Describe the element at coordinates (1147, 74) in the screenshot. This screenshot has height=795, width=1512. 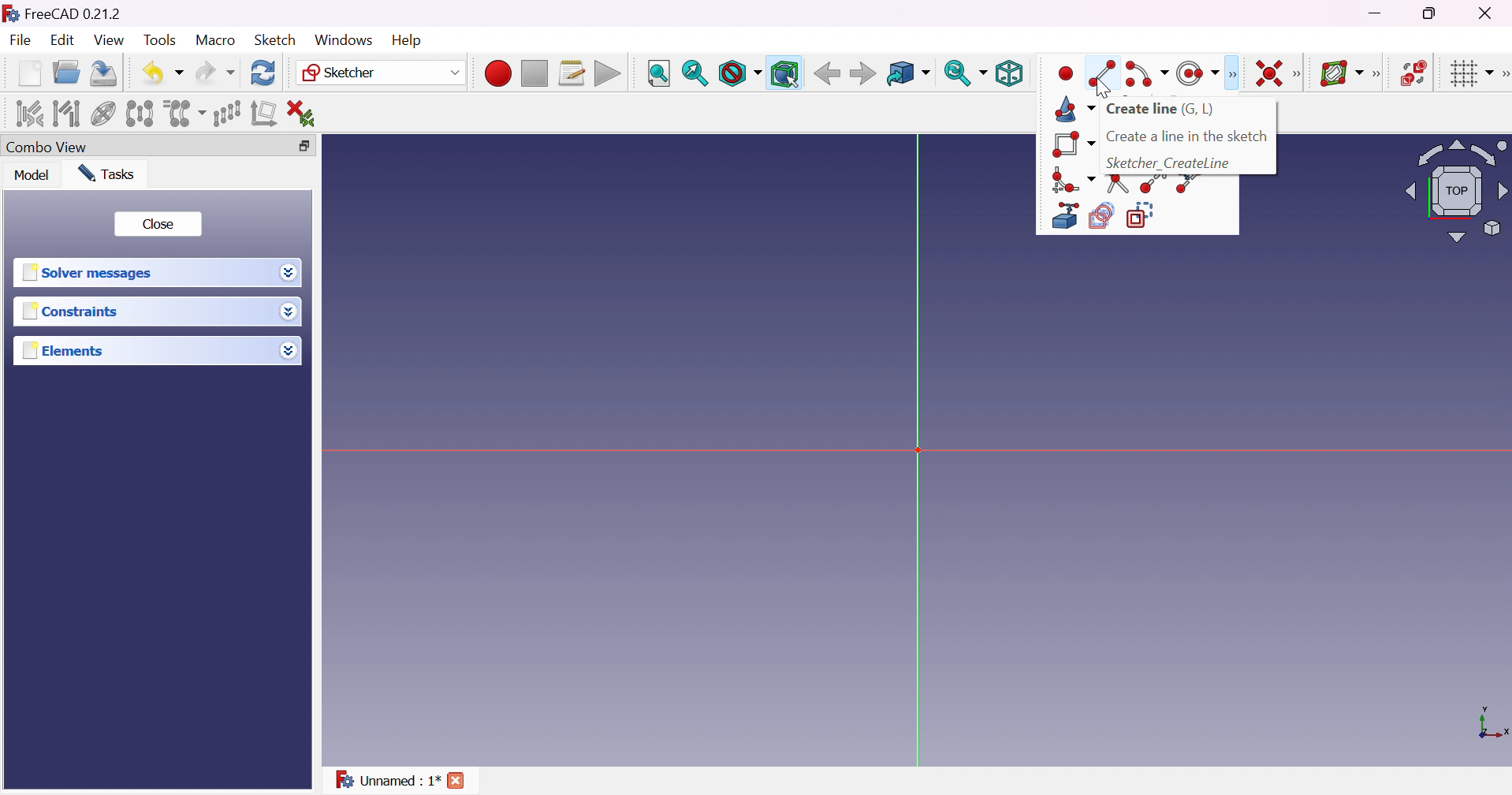
I see `Create Arc` at that location.